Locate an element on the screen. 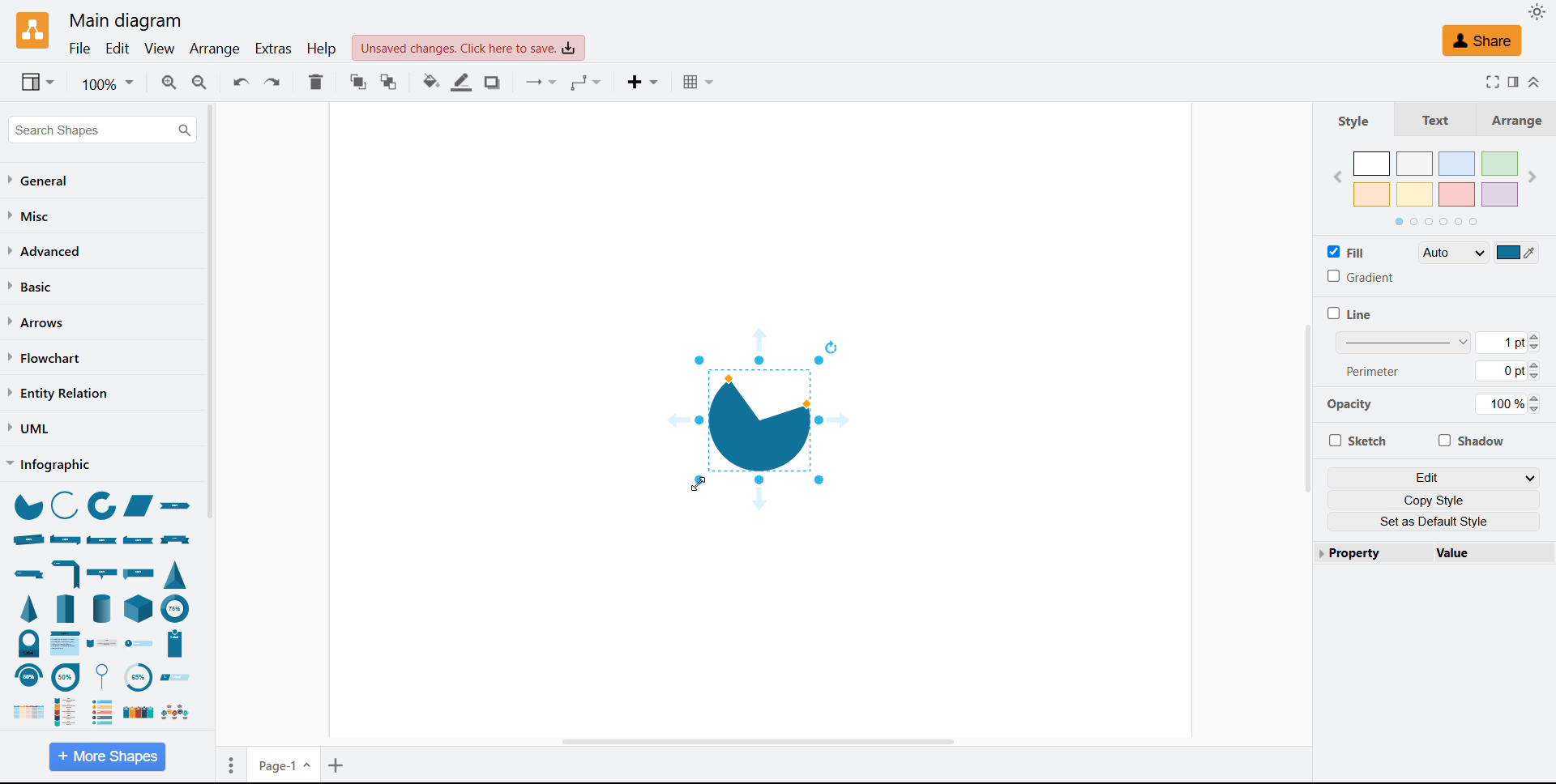 This screenshot has width=1556, height=784. flag is located at coordinates (141, 572).